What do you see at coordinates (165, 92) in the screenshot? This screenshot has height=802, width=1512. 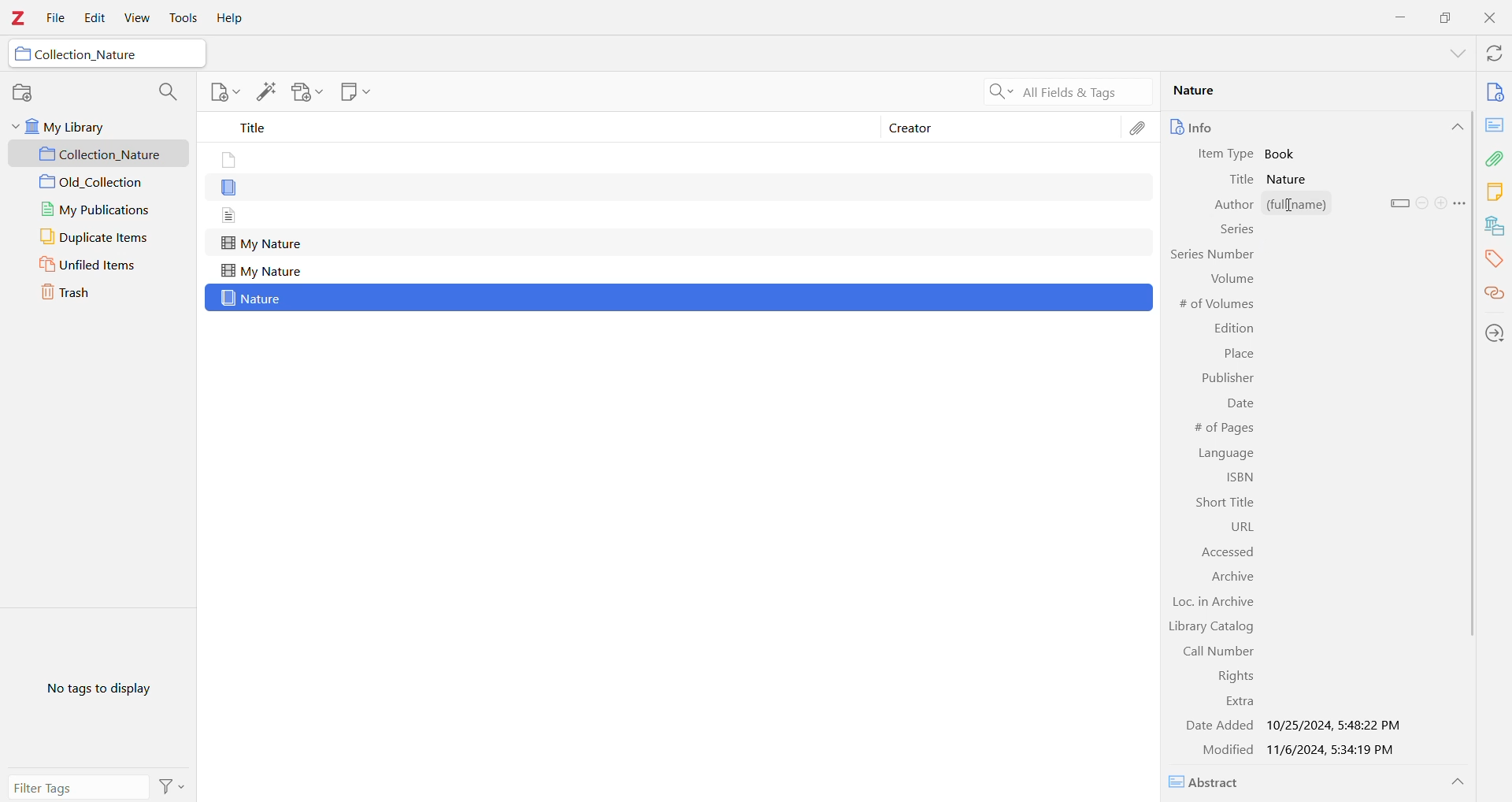 I see `Search` at bounding box center [165, 92].